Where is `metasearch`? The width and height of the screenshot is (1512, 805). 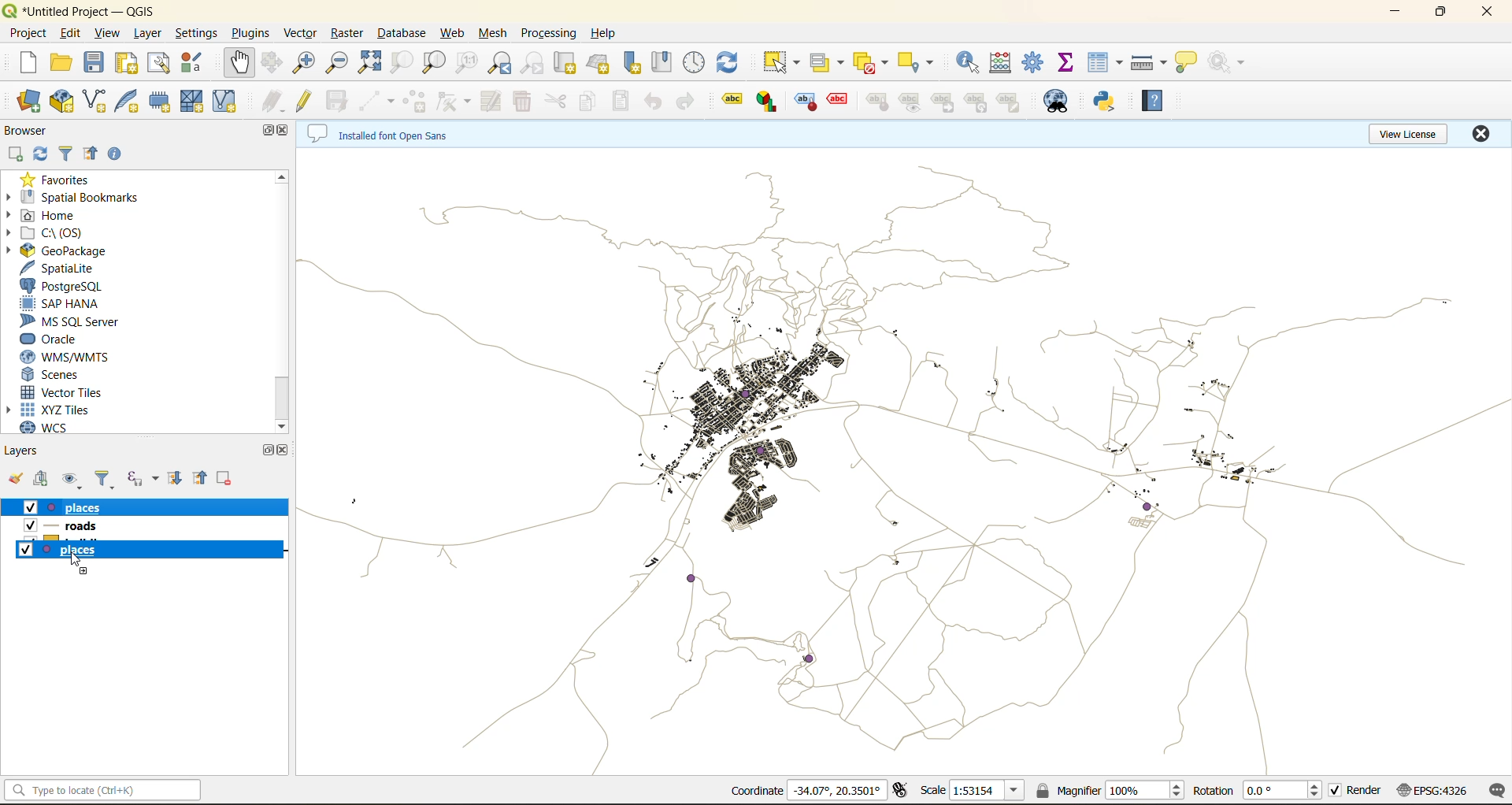
metasearch is located at coordinates (1058, 102).